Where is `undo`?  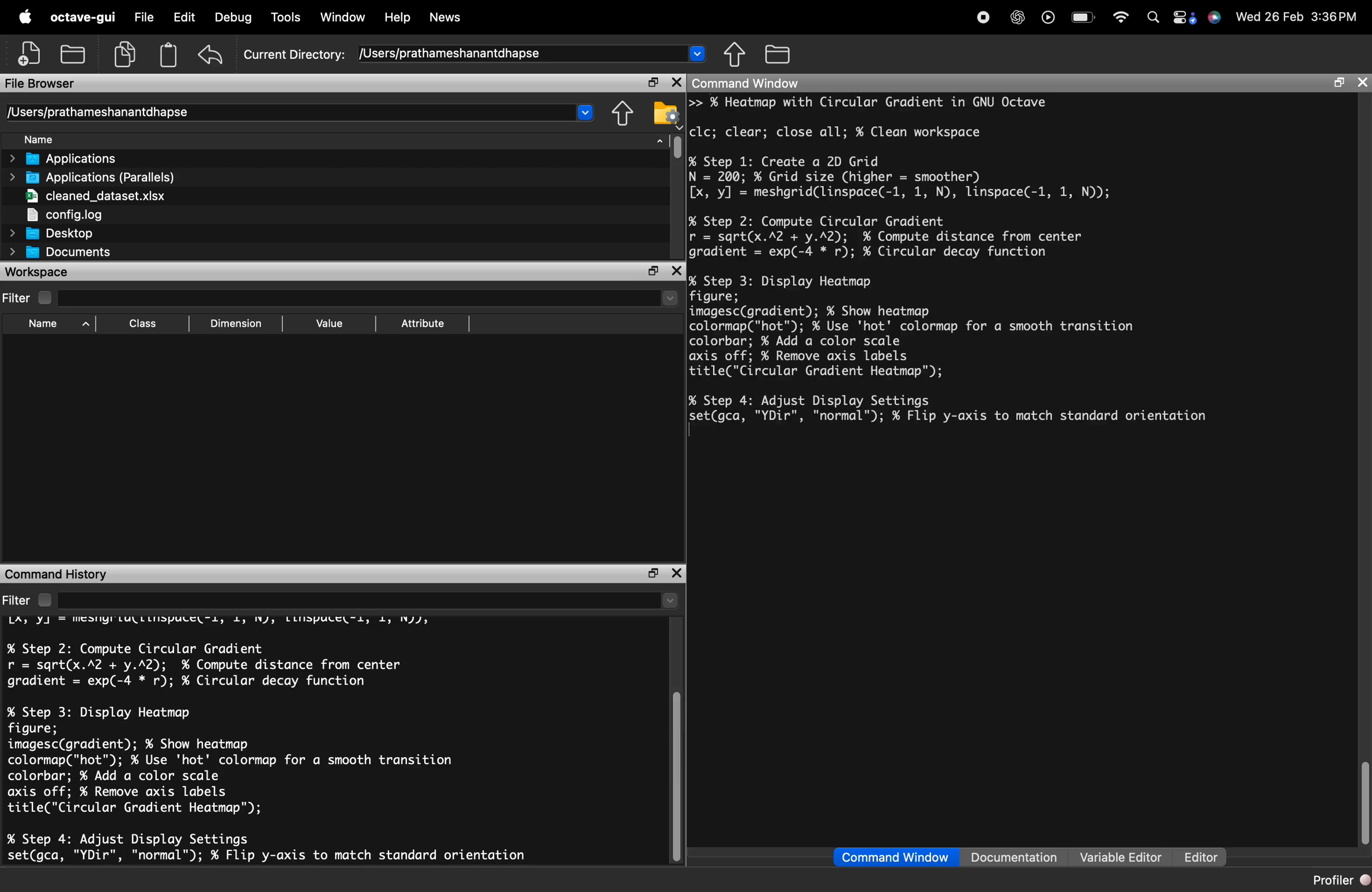
undo is located at coordinates (210, 55).